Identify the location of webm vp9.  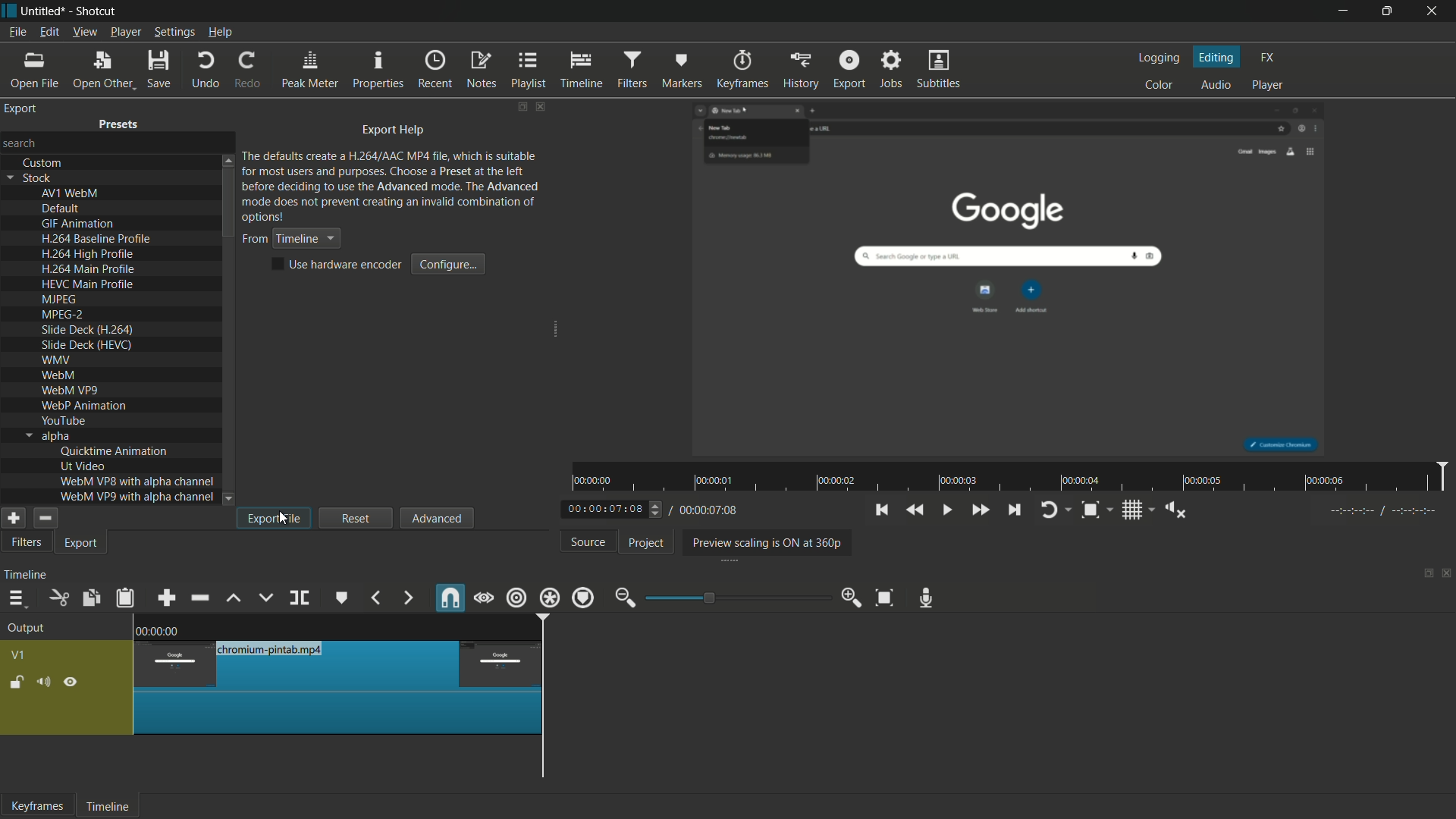
(69, 390).